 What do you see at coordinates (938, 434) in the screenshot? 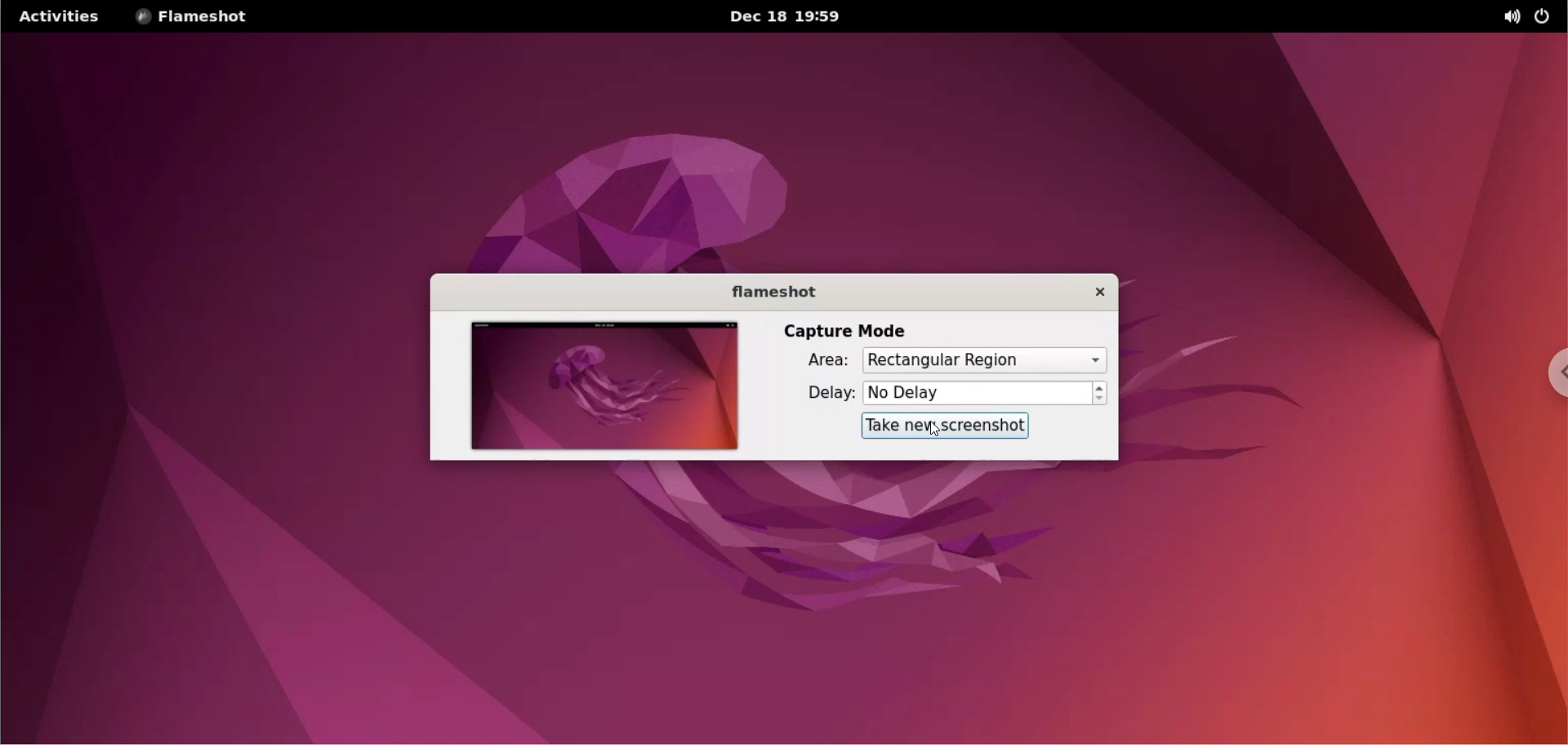
I see `cursor` at bounding box center [938, 434].